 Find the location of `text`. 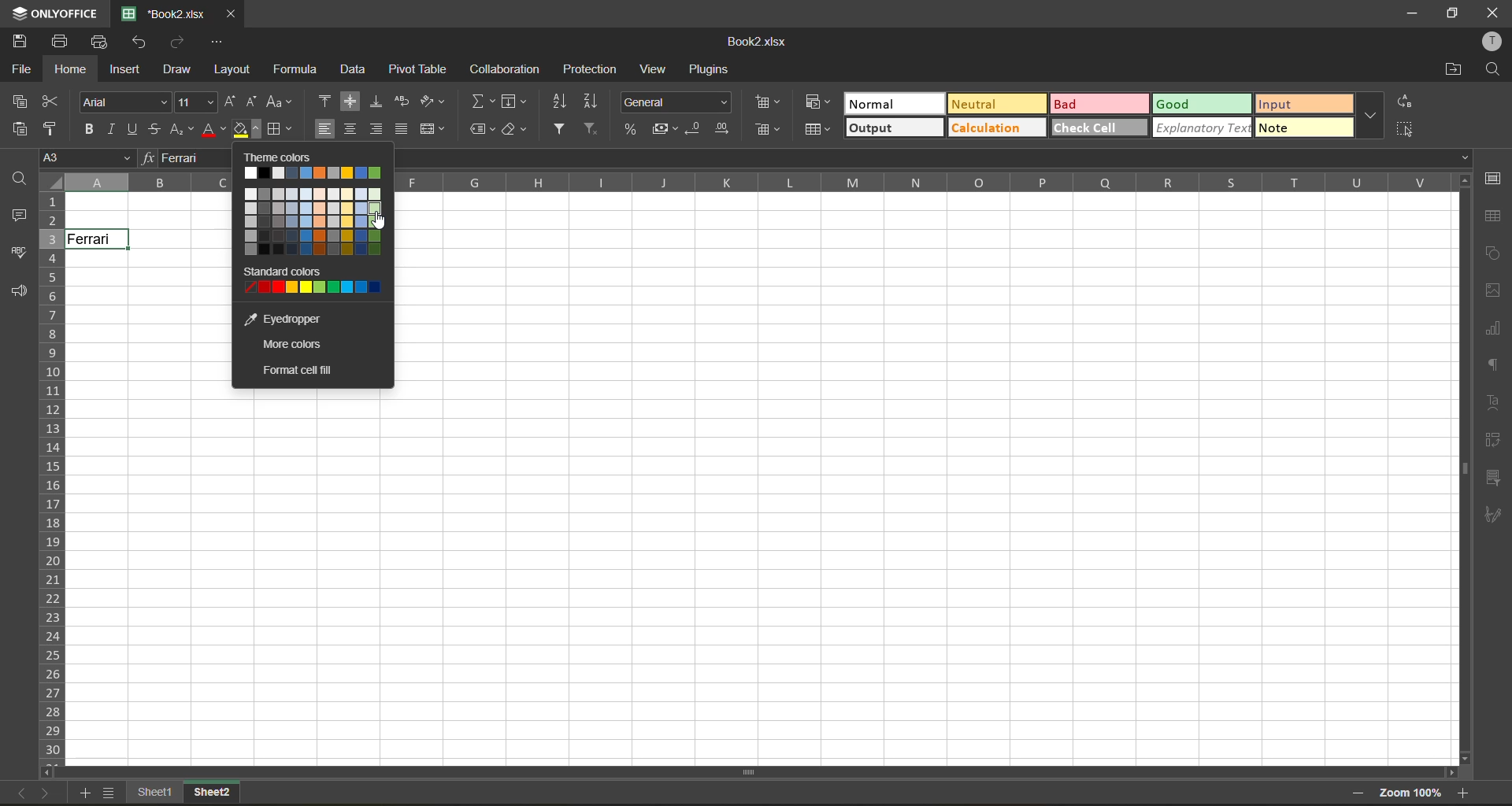

text is located at coordinates (1494, 404).